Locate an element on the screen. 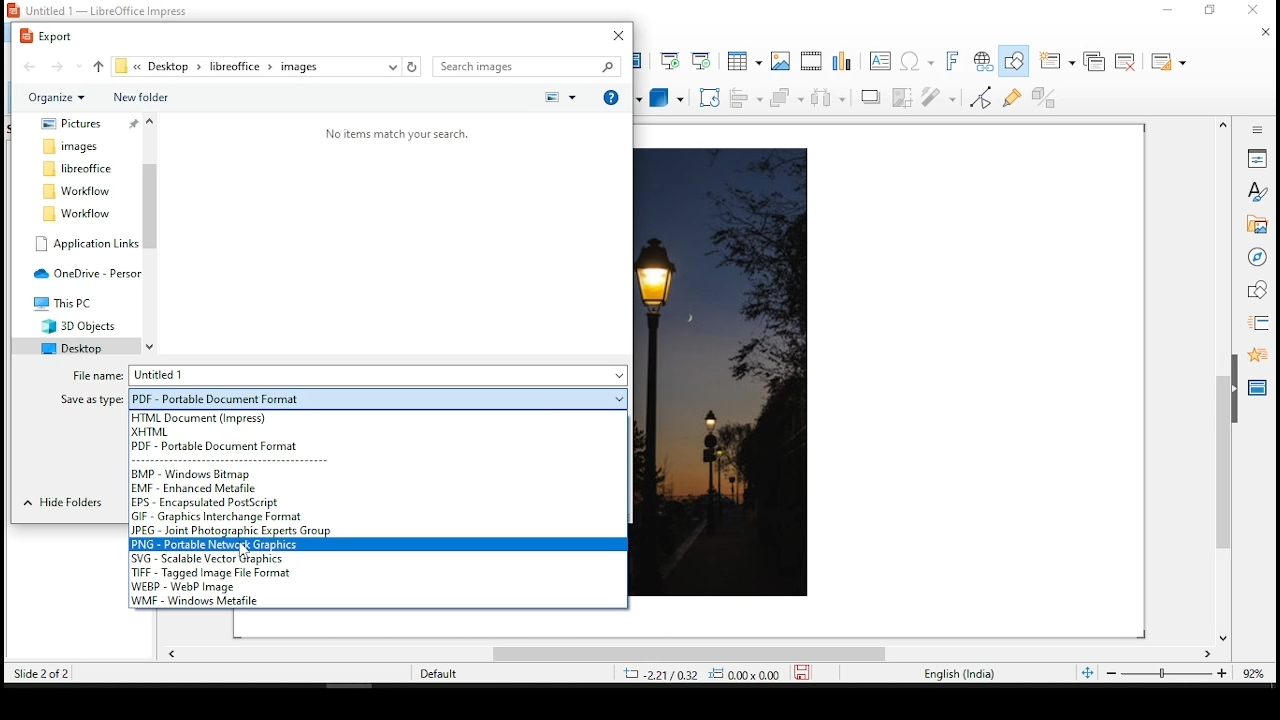  animation is located at coordinates (1257, 355).